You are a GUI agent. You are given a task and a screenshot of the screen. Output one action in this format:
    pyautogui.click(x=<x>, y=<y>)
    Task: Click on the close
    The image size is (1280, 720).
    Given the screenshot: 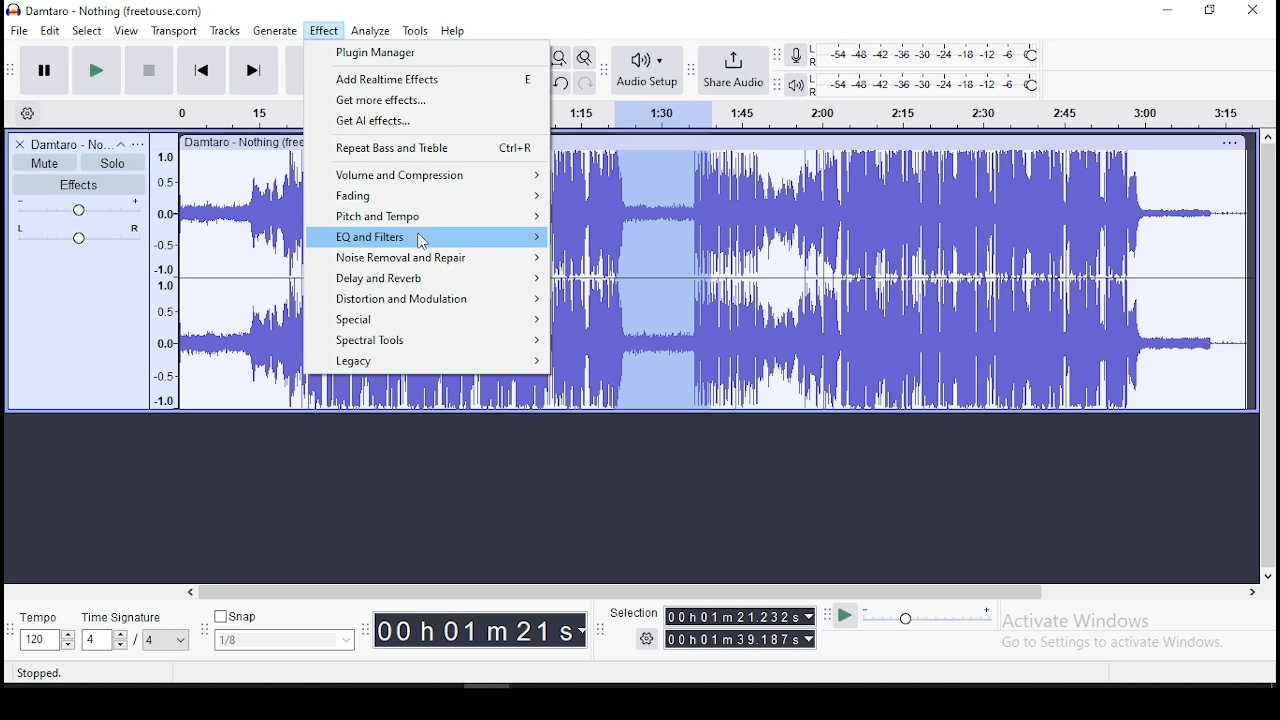 What is the action you would take?
    pyautogui.click(x=1252, y=11)
    